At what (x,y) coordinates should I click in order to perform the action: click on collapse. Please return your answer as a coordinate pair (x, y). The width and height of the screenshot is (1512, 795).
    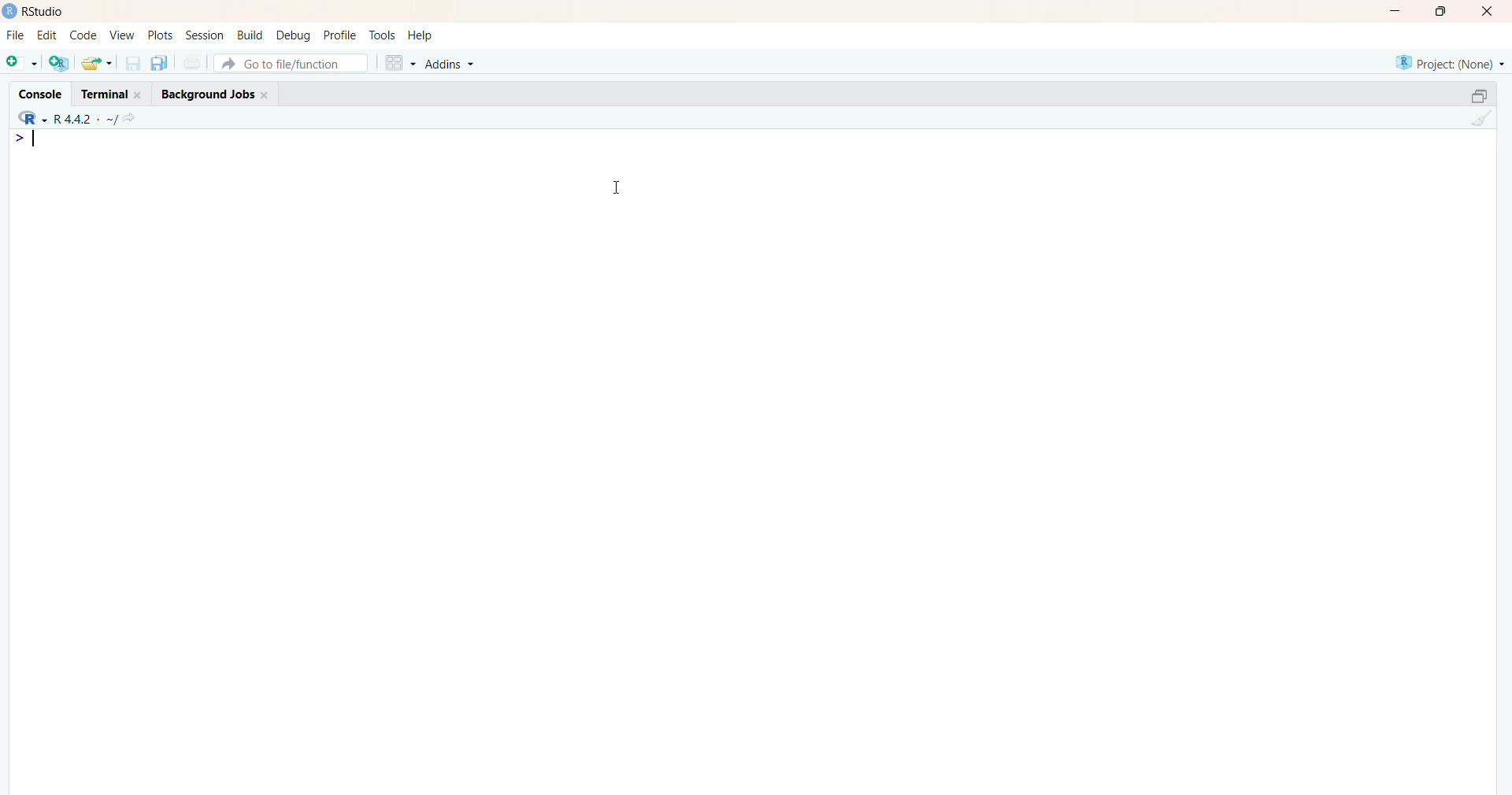
    Looking at the image, I should click on (1473, 98).